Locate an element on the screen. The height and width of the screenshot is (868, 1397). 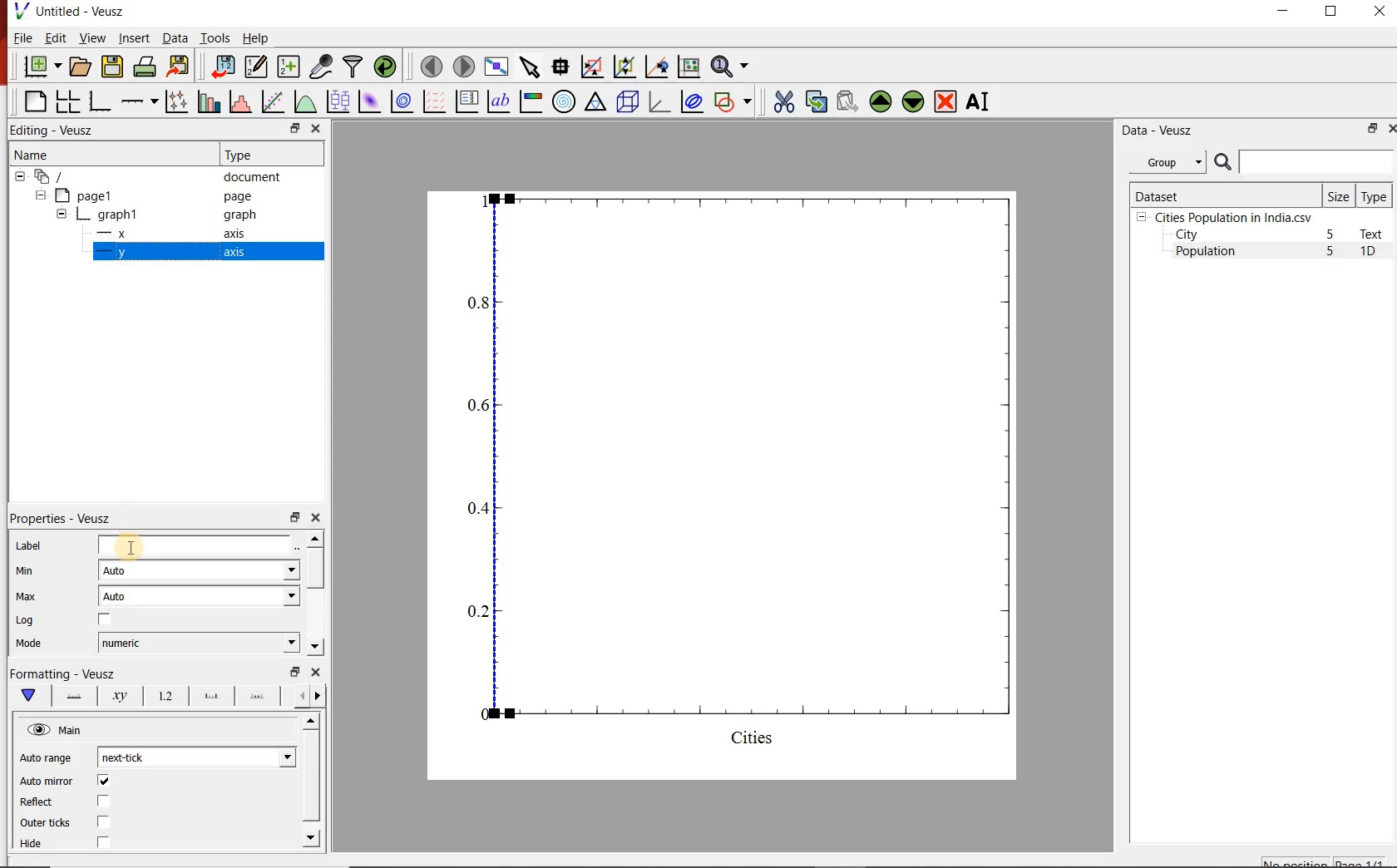
export to graphics format is located at coordinates (179, 67).